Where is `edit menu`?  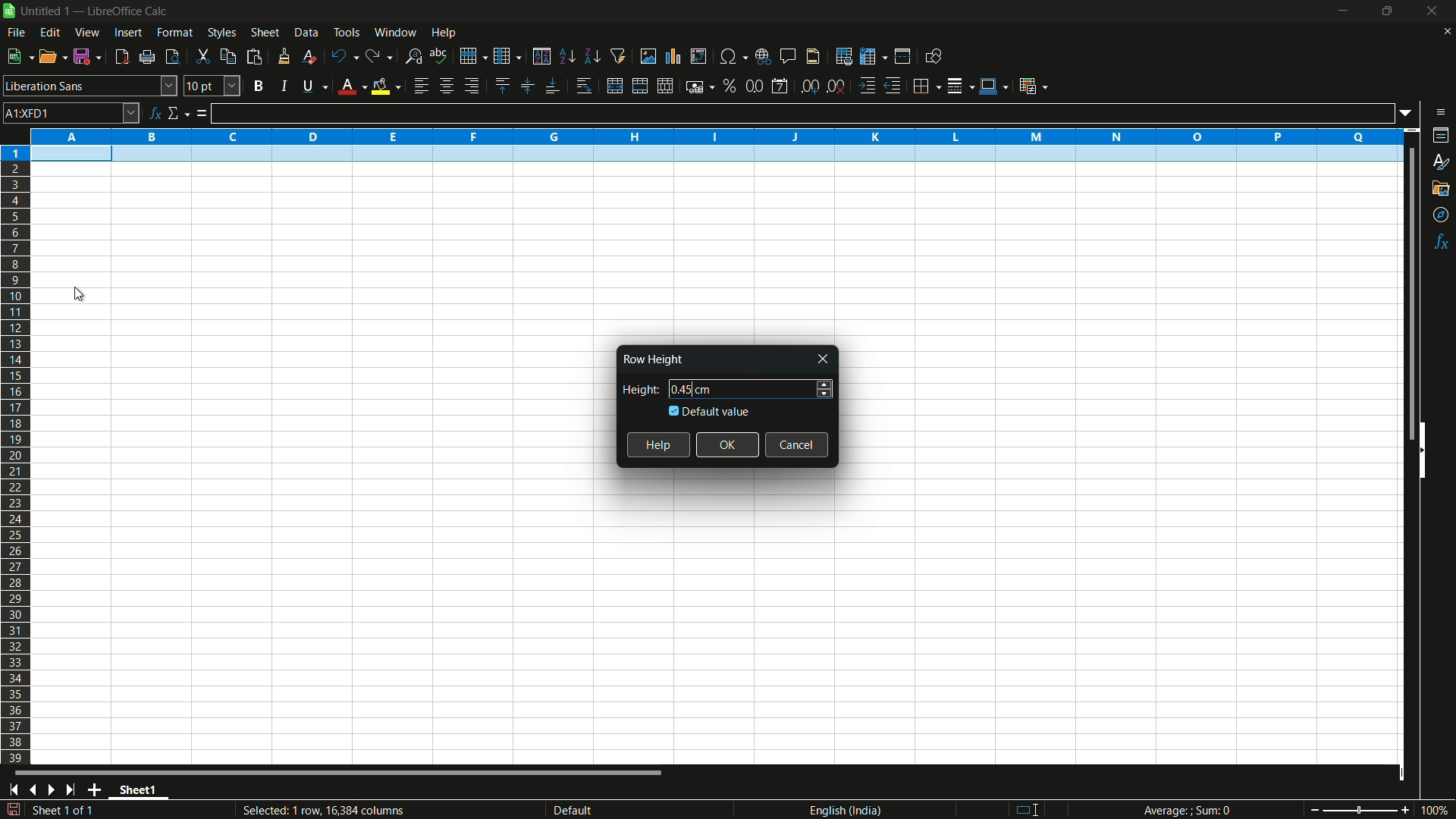 edit menu is located at coordinates (50, 32).